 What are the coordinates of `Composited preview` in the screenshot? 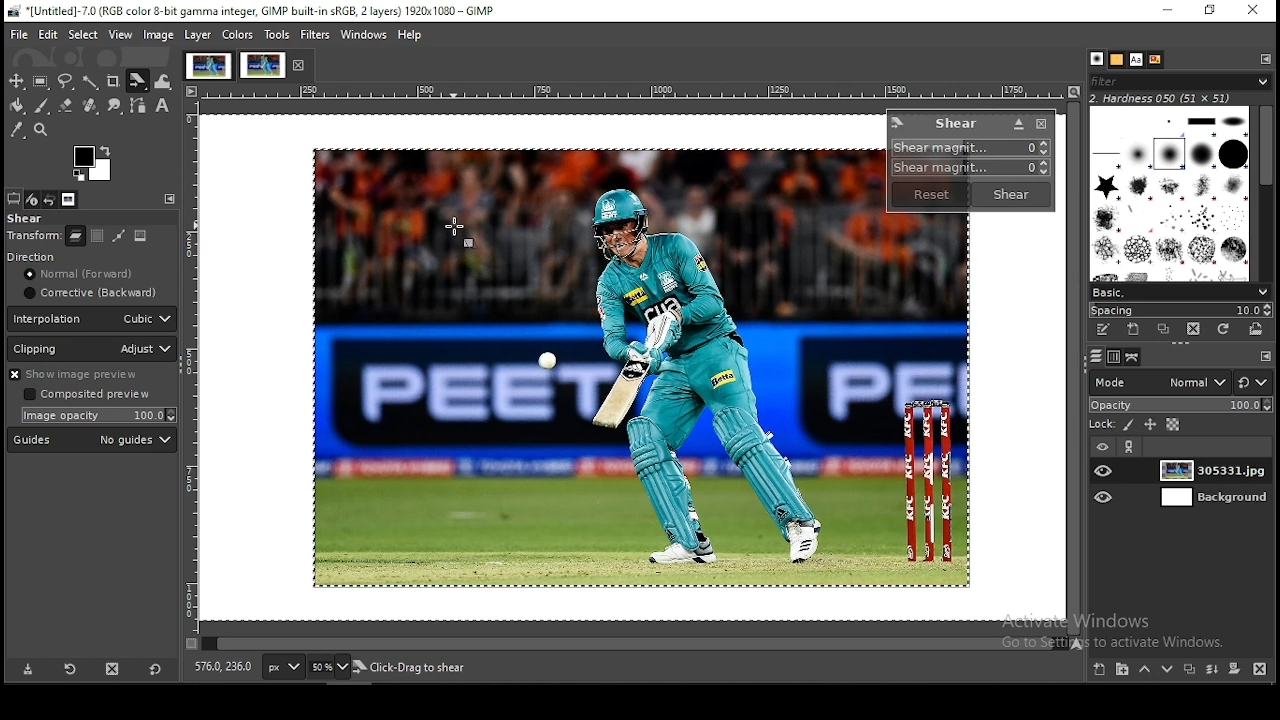 It's located at (89, 395).